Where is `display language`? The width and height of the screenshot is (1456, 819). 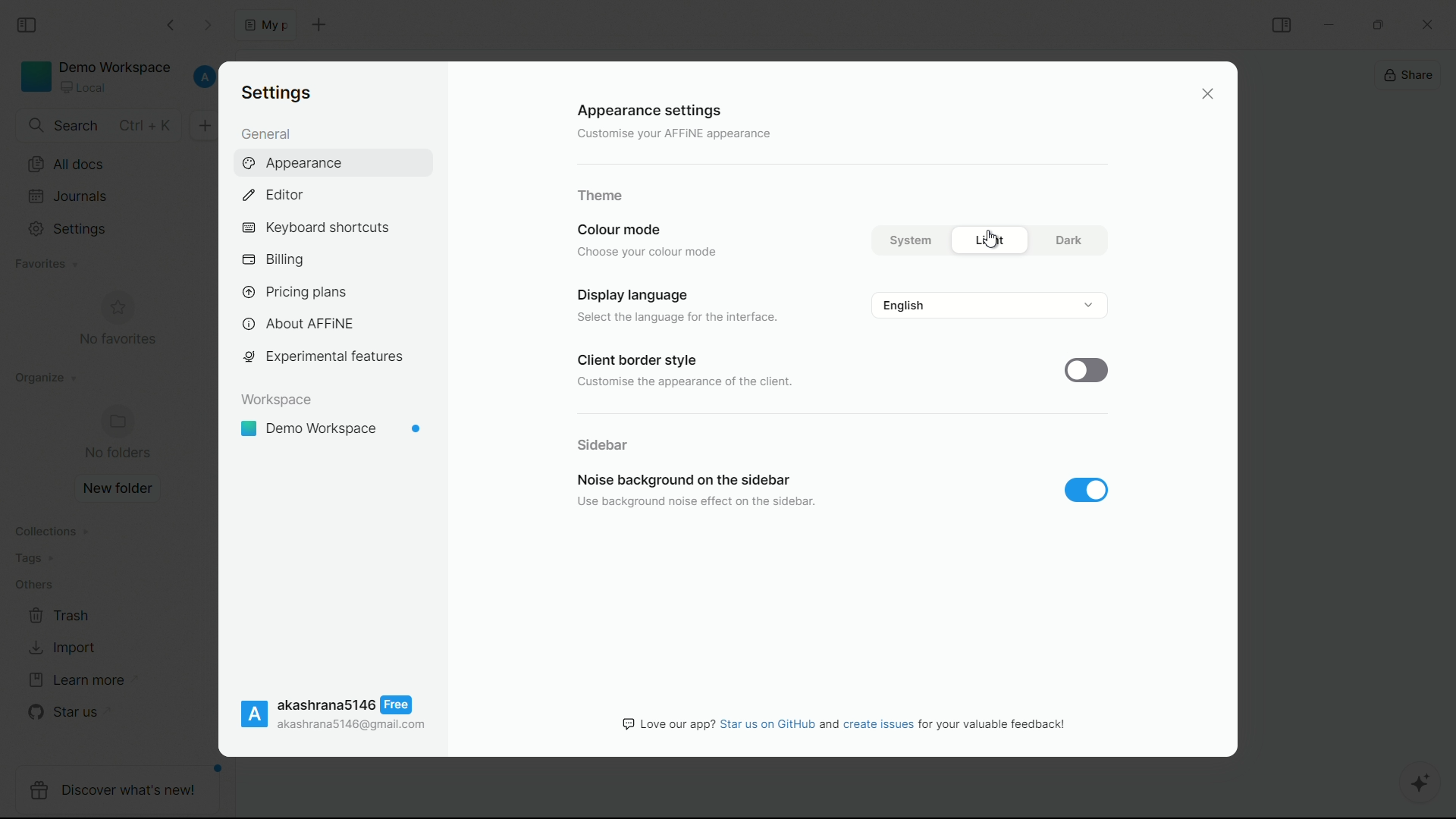
display language is located at coordinates (634, 296).